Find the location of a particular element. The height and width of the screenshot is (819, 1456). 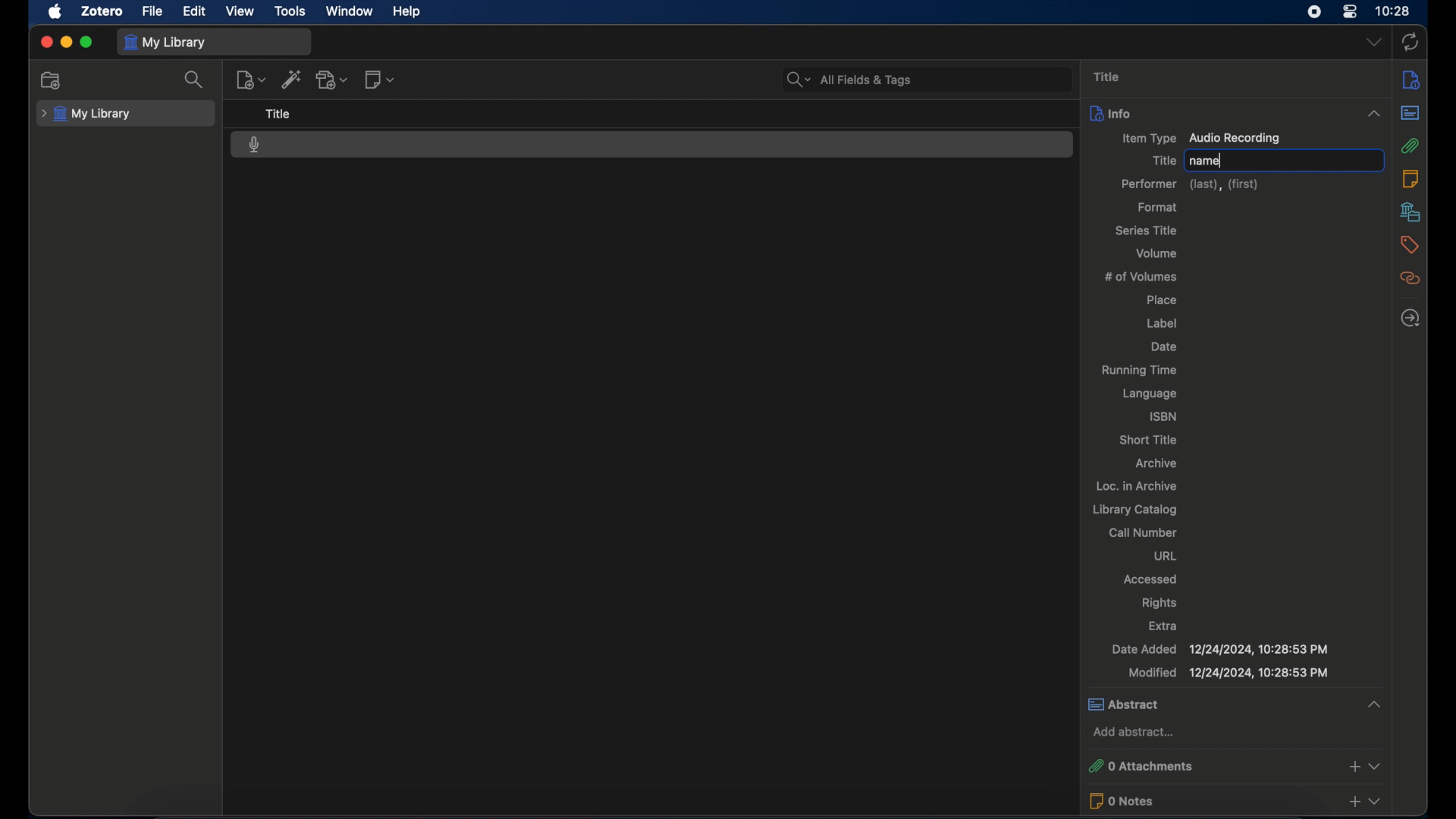

accessed is located at coordinates (1150, 579).